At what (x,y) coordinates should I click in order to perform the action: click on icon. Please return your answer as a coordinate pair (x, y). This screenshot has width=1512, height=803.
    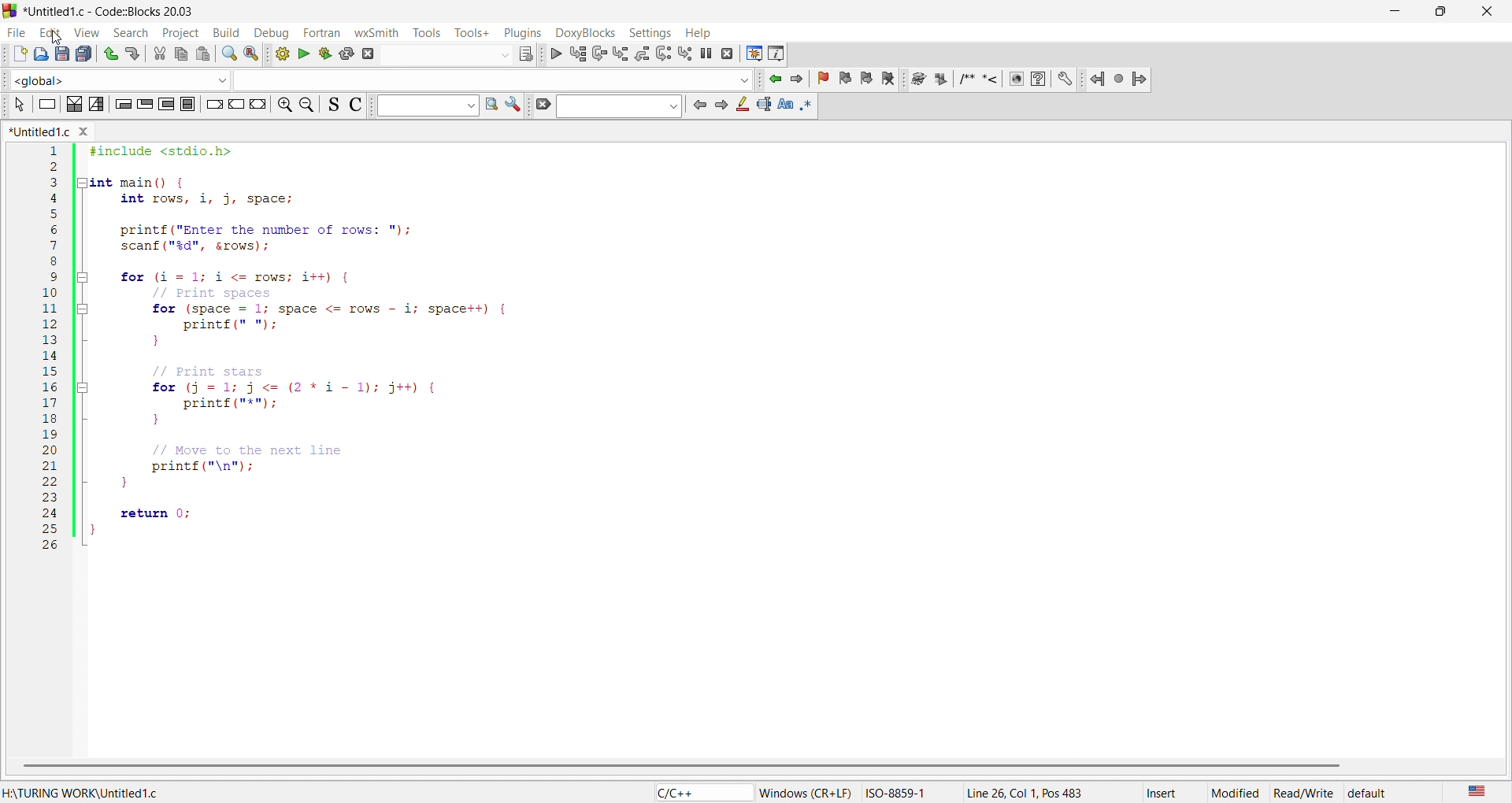
    Looking at the image, I should click on (528, 53).